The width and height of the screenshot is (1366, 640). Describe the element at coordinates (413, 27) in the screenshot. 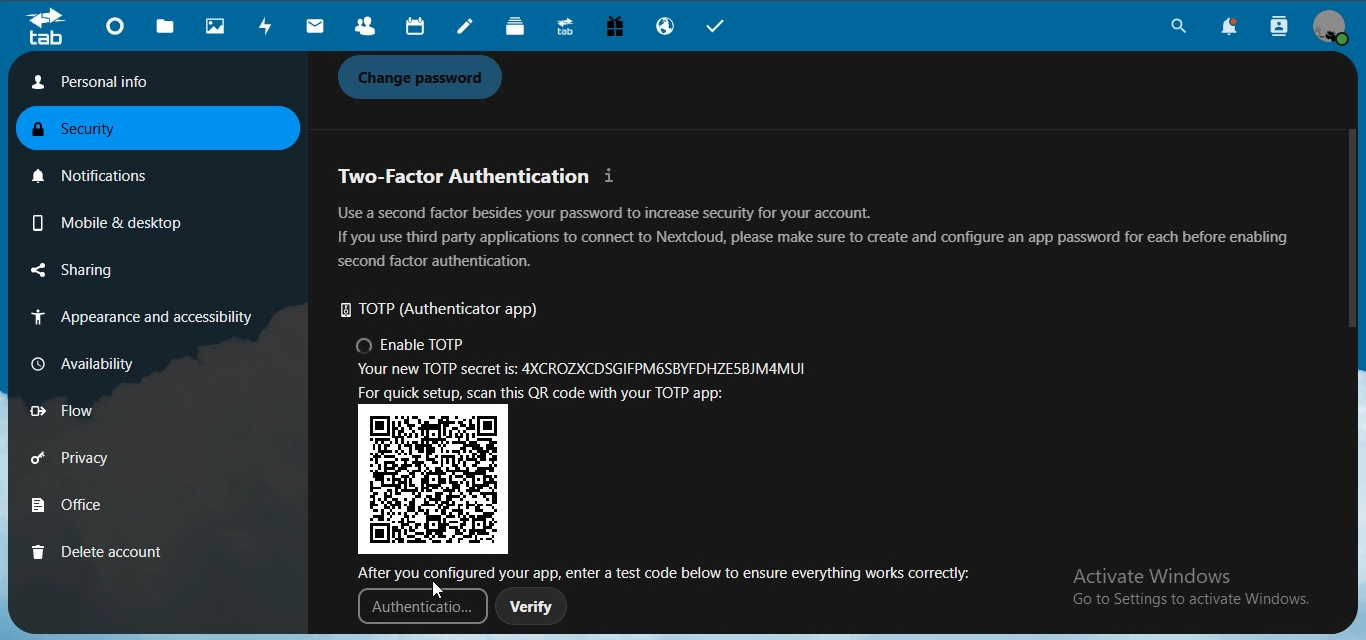

I see `calendar` at that location.